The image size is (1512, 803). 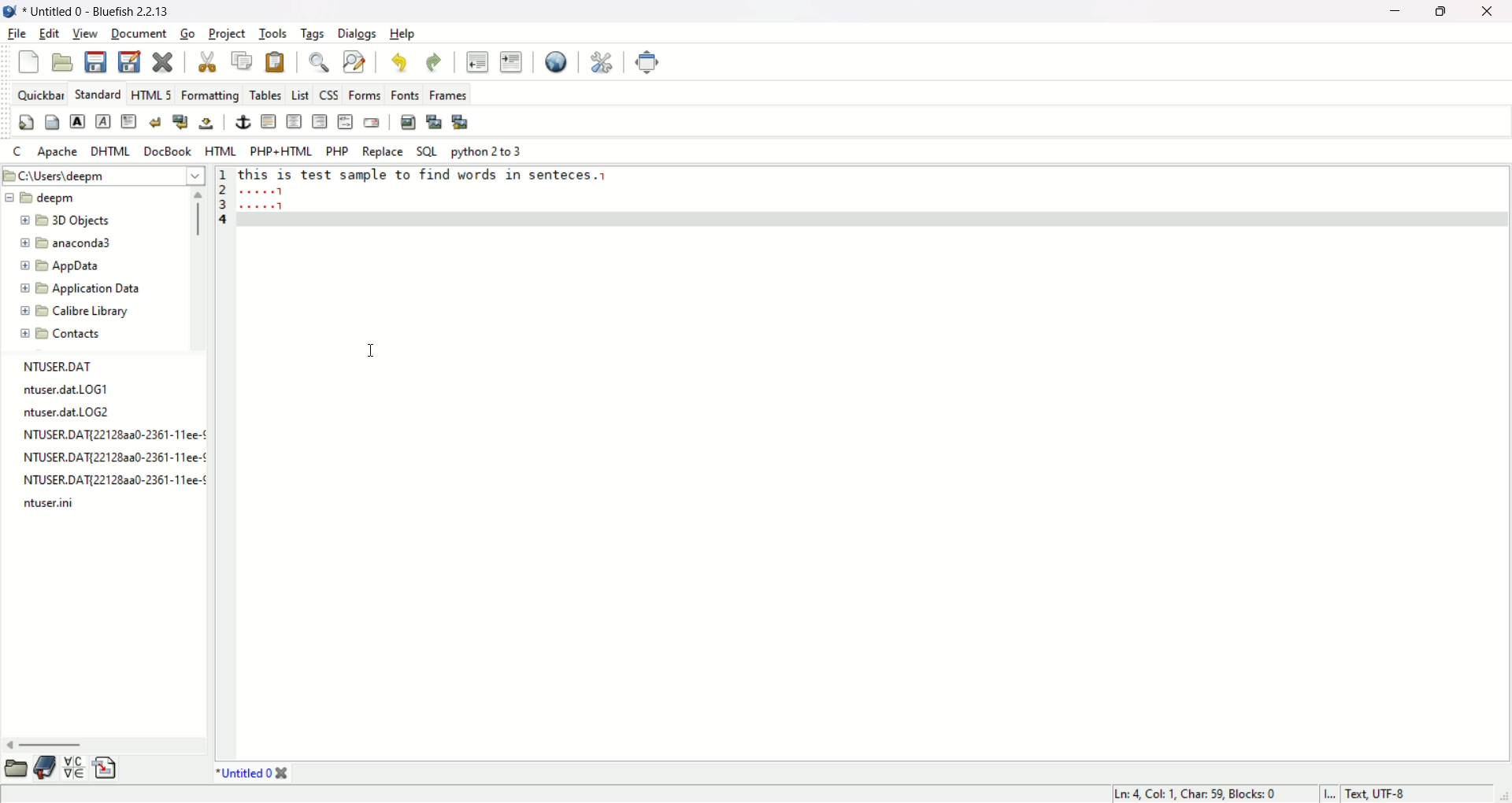 I want to click on l..., so click(x=1329, y=794).